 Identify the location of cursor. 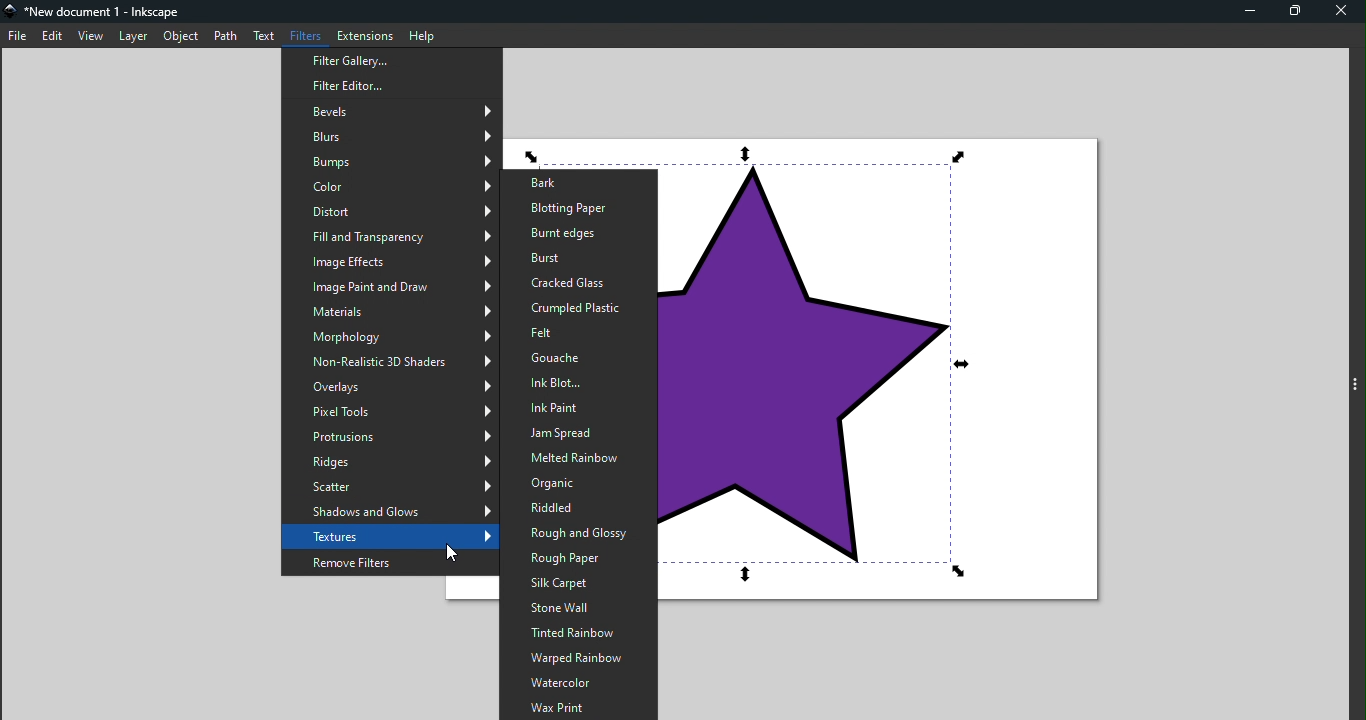
(449, 556).